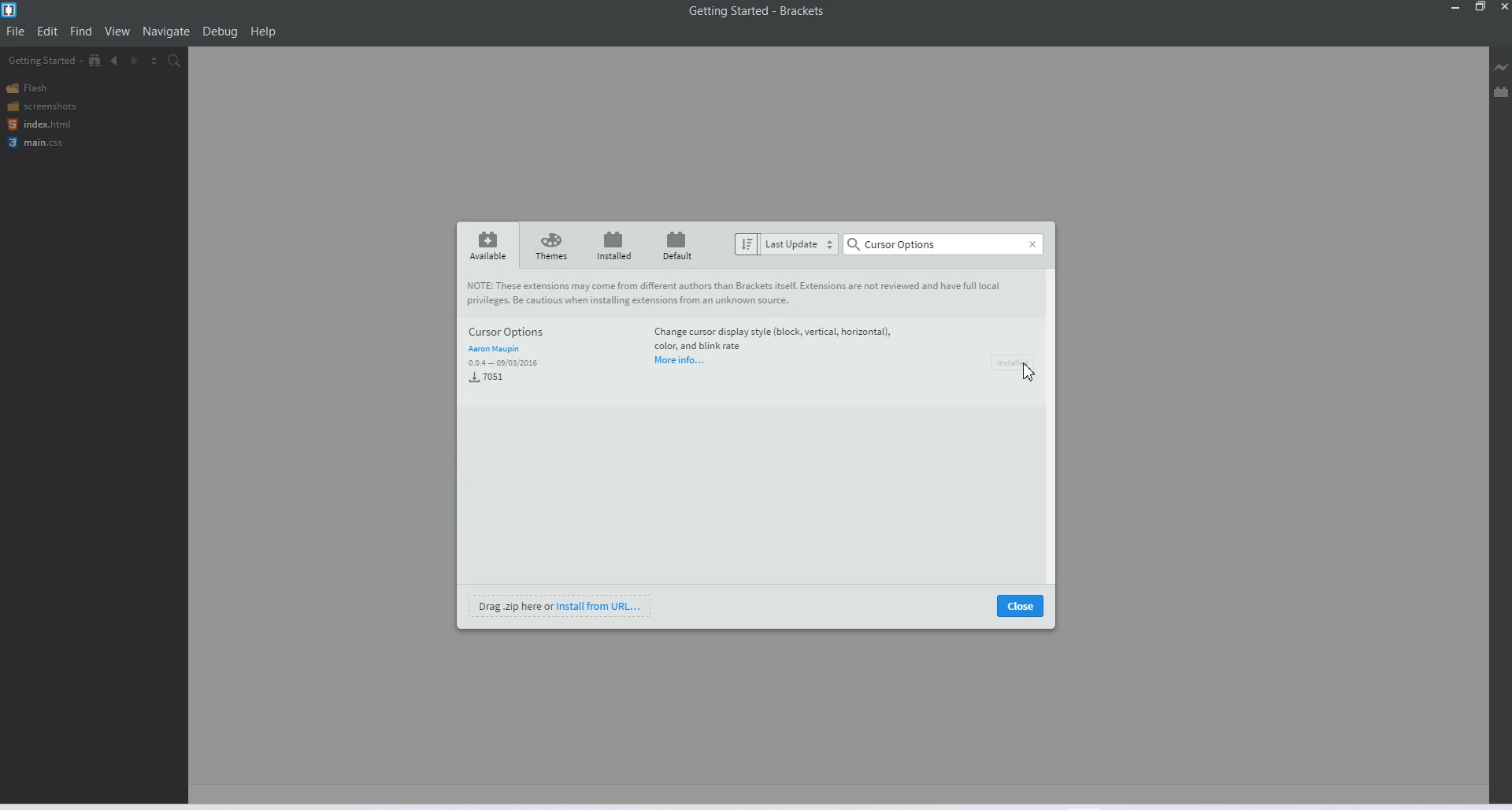 The image size is (1512, 810). Describe the element at coordinates (1456, 7) in the screenshot. I see `Minimize` at that location.